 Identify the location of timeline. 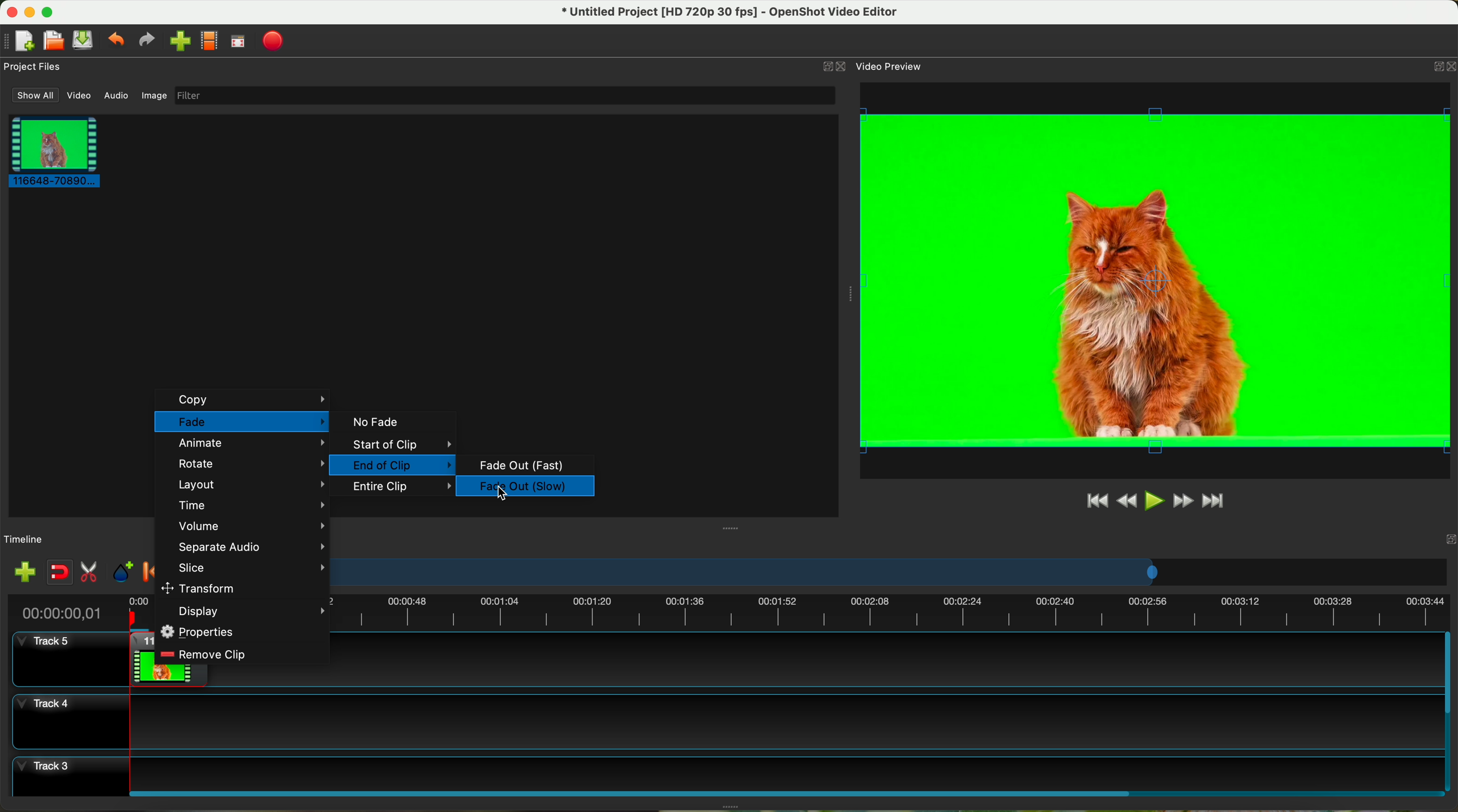
(893, 614).